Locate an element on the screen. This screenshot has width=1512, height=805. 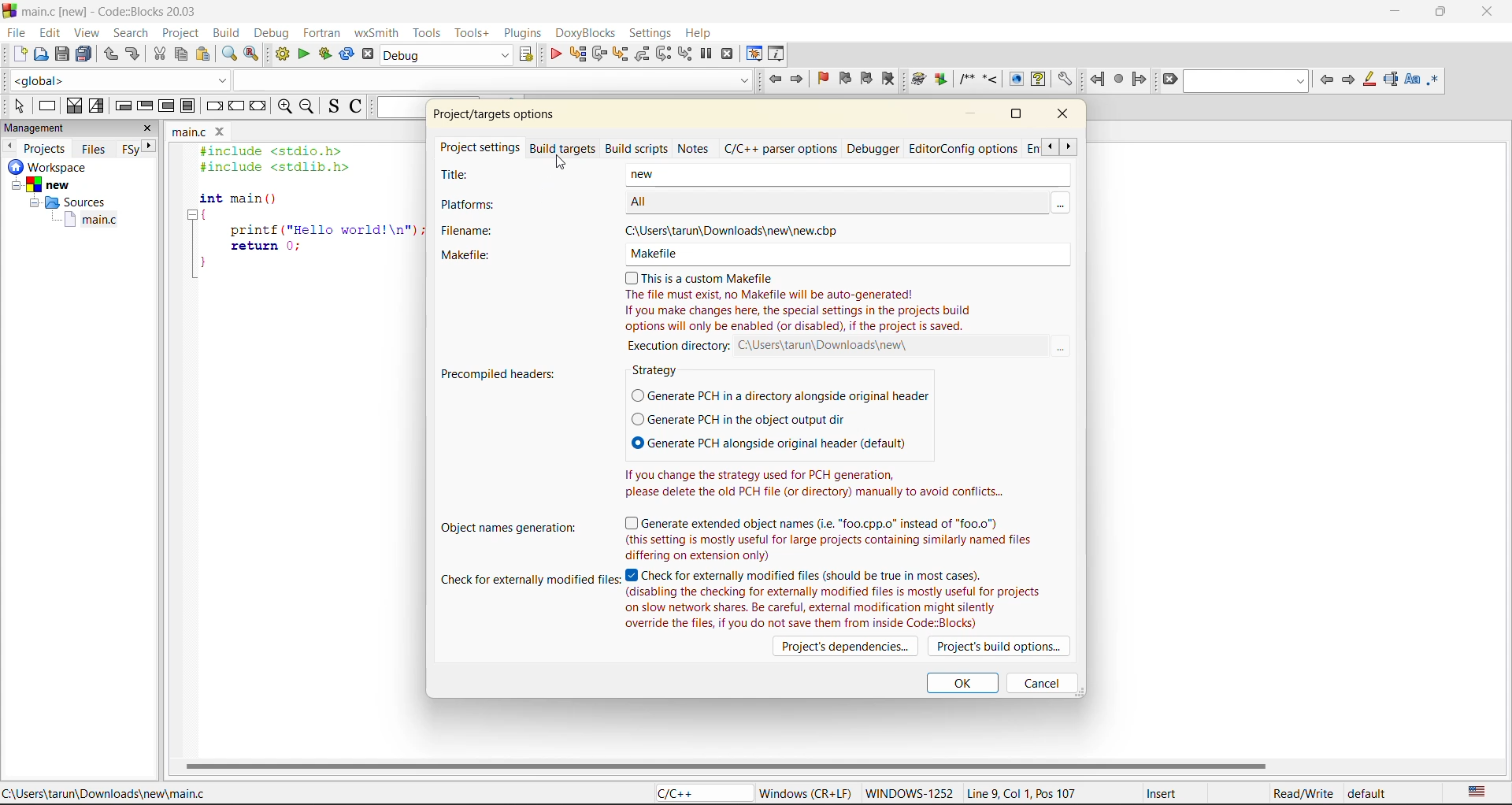
last jump is located at coordinates (1117, 80).